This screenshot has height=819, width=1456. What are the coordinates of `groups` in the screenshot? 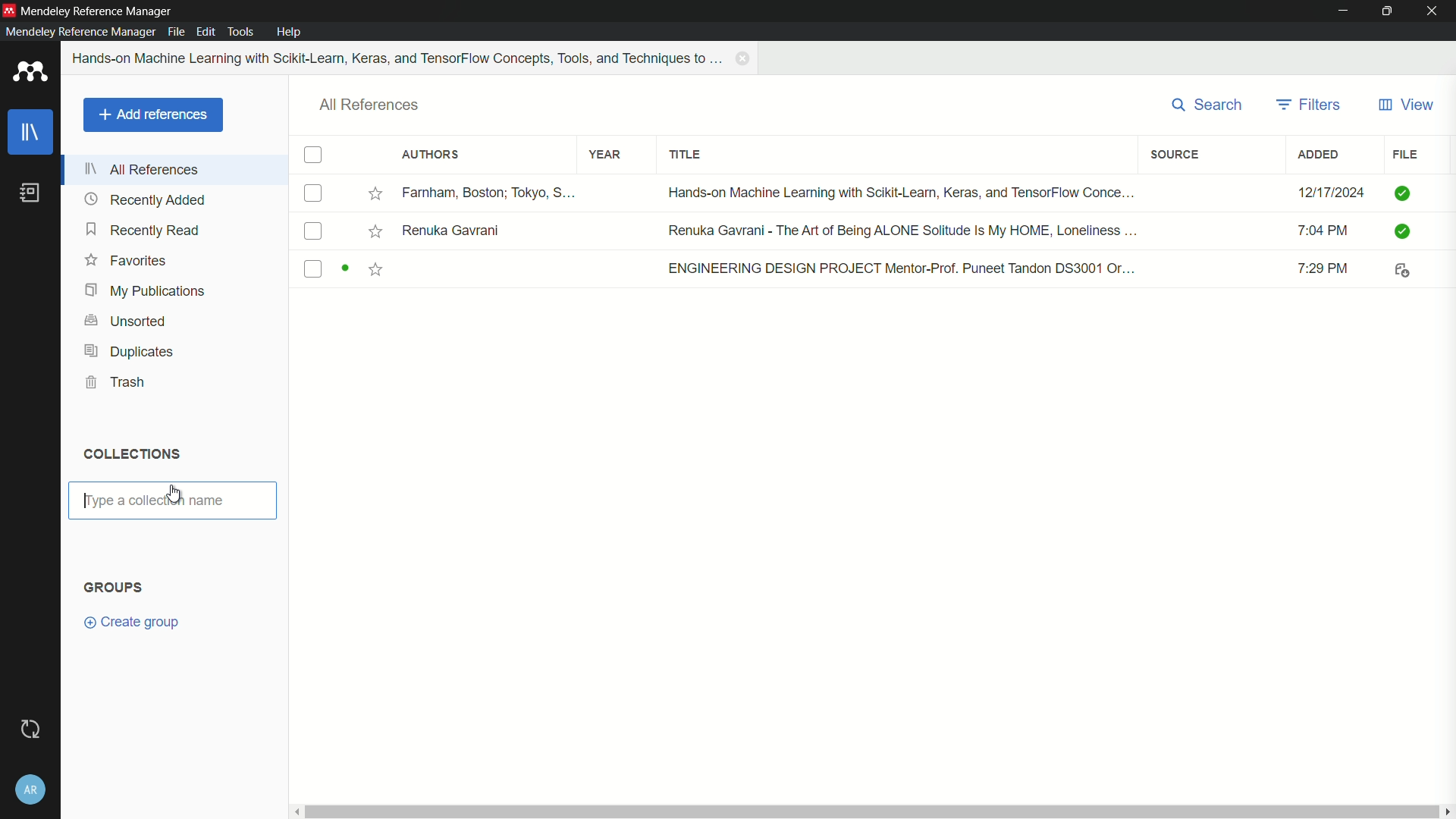 It's located at (113, 586).